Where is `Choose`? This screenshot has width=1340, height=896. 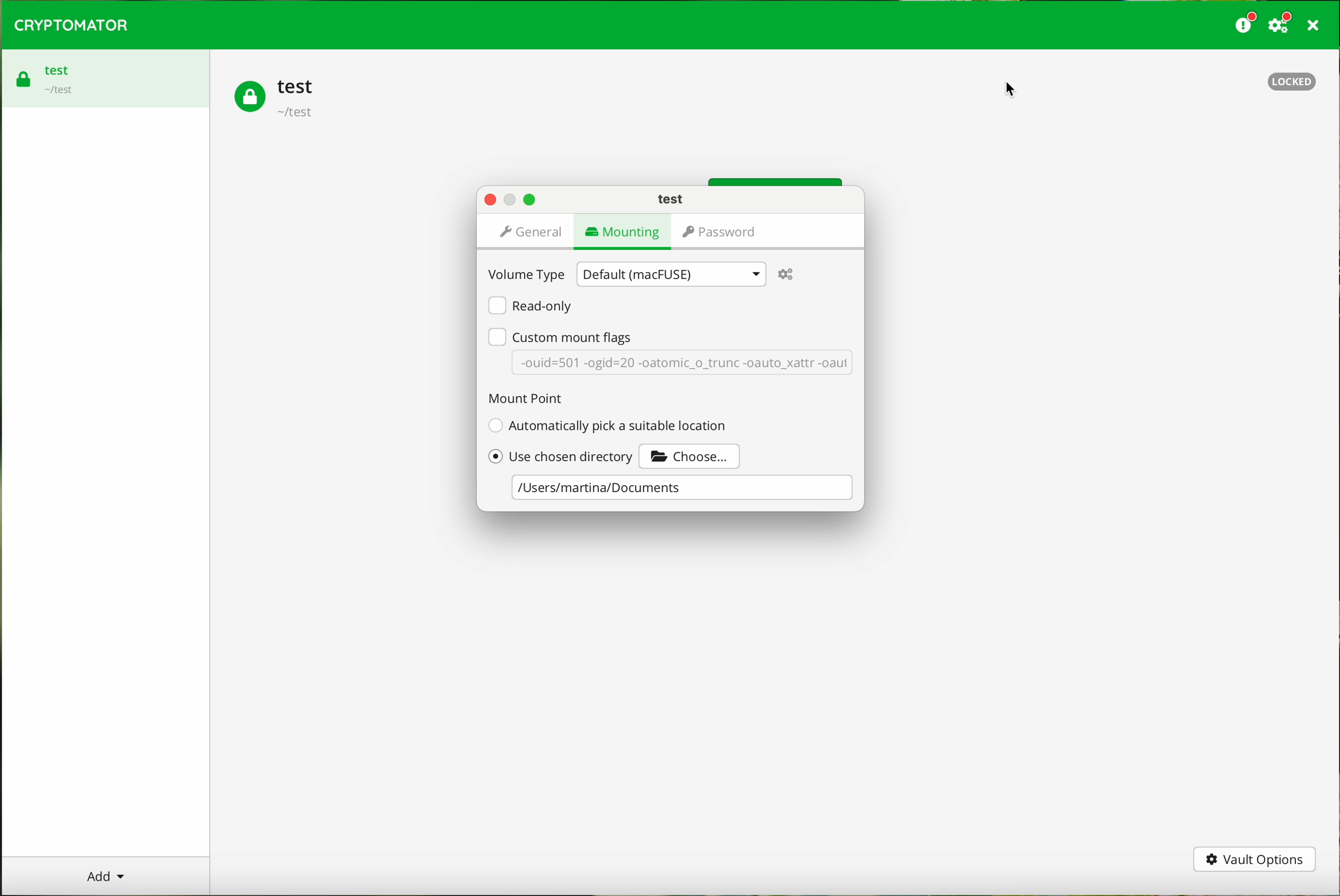 Choose is located at coordinates (693, 454).